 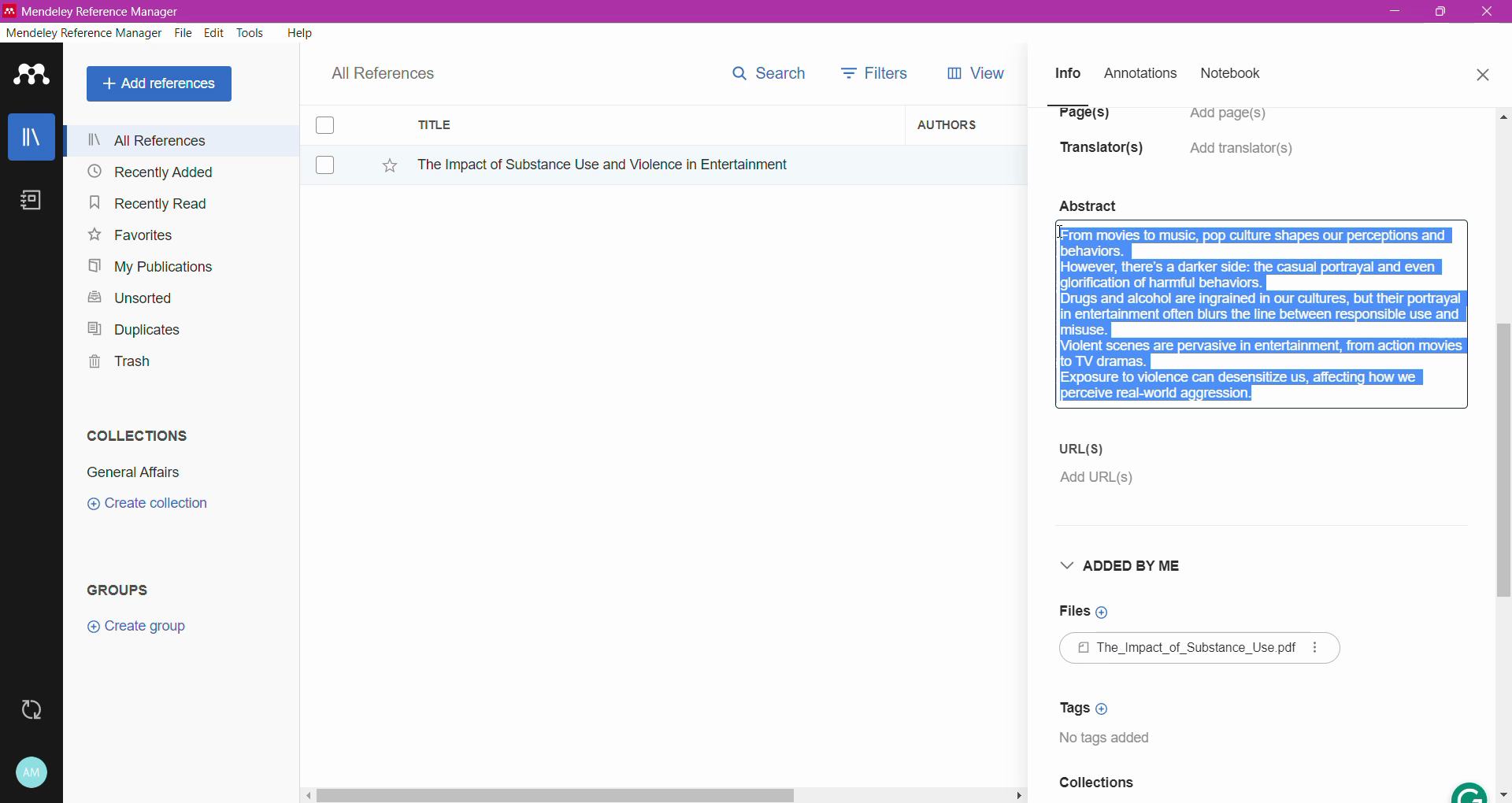 What do you see at coordinates (381, 162) in the screenshot?
I see `Click to Add to Favorites` at bounding box center [381, 162].